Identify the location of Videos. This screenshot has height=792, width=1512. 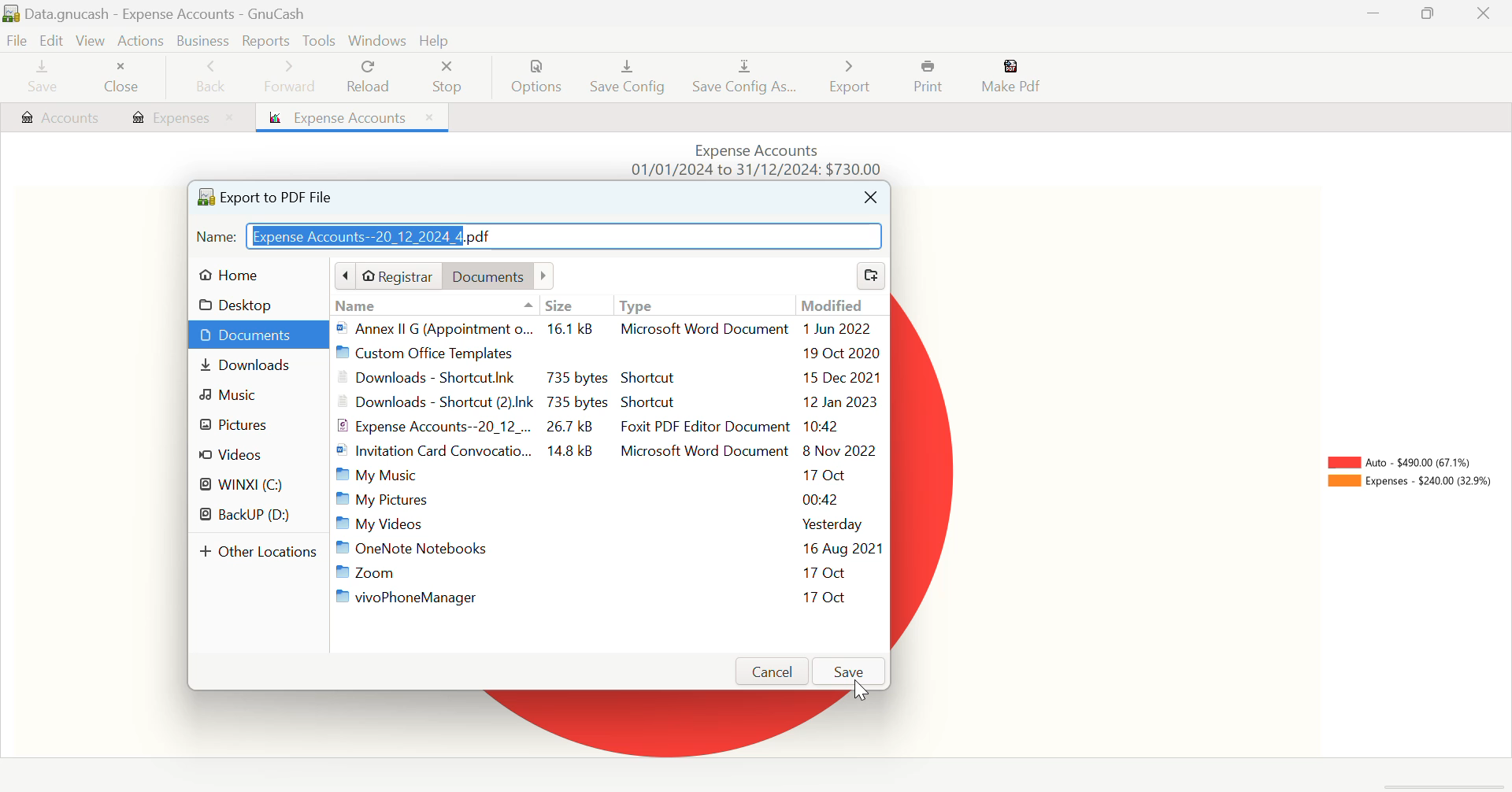
(257, 455).